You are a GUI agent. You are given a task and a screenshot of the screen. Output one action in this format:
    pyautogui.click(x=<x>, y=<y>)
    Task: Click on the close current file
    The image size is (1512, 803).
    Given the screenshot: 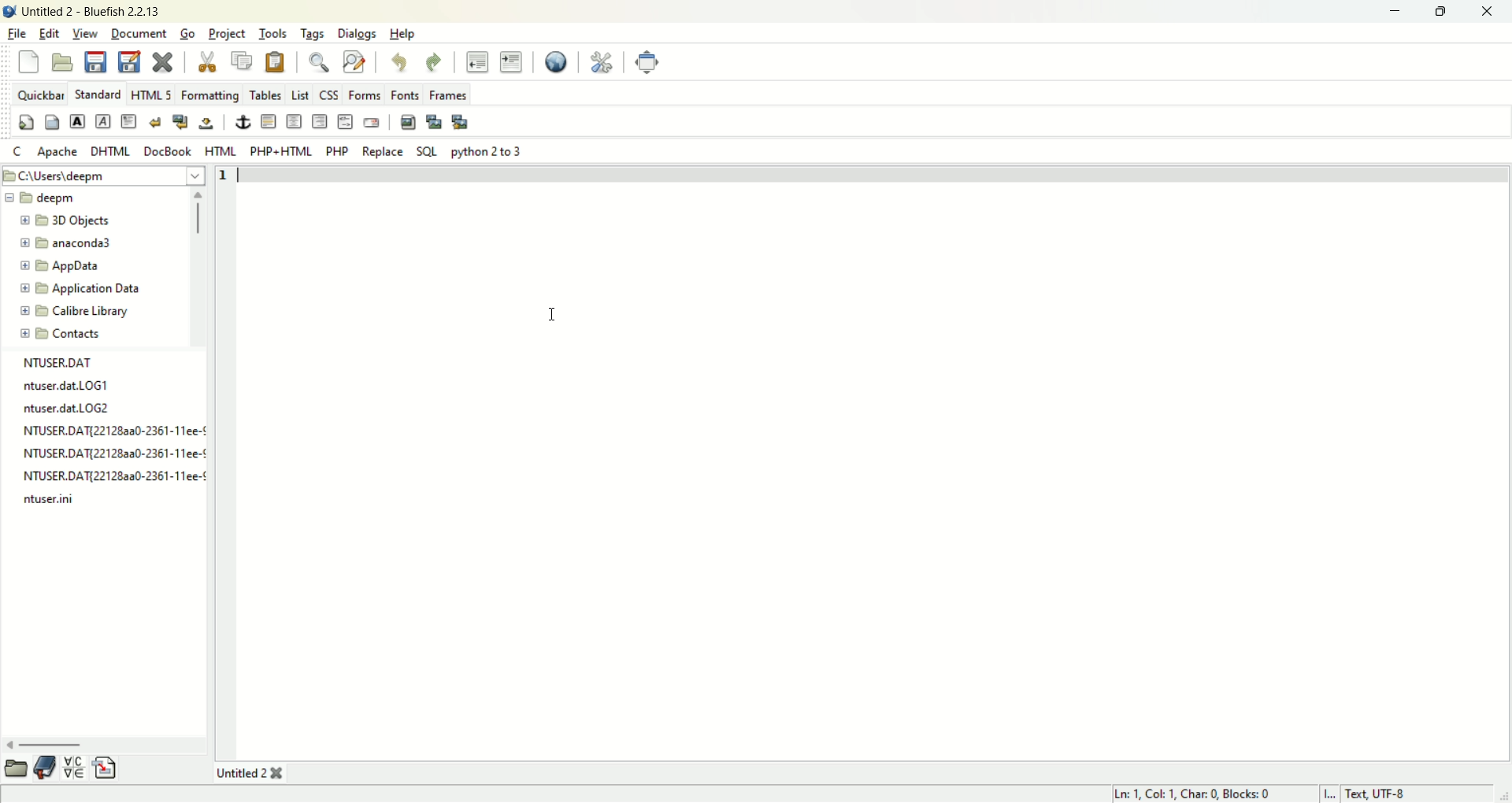 What is the action you would take?
    pyautogui.click(x=161, y=61)
    